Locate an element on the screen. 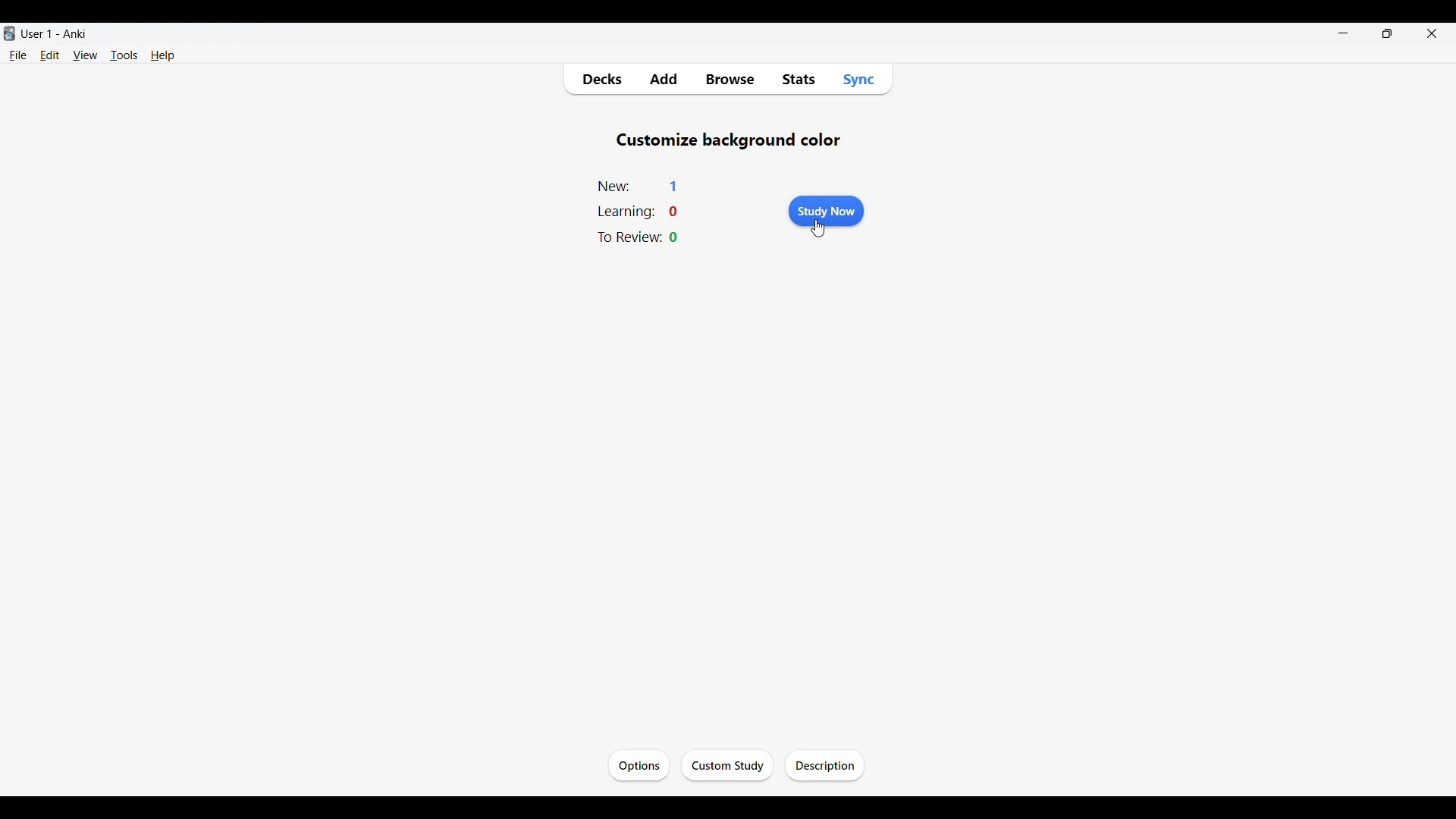 Image resolution: width=1456 pixels, height=819 pixels. Close interface is located at coordinates (1432, 33).